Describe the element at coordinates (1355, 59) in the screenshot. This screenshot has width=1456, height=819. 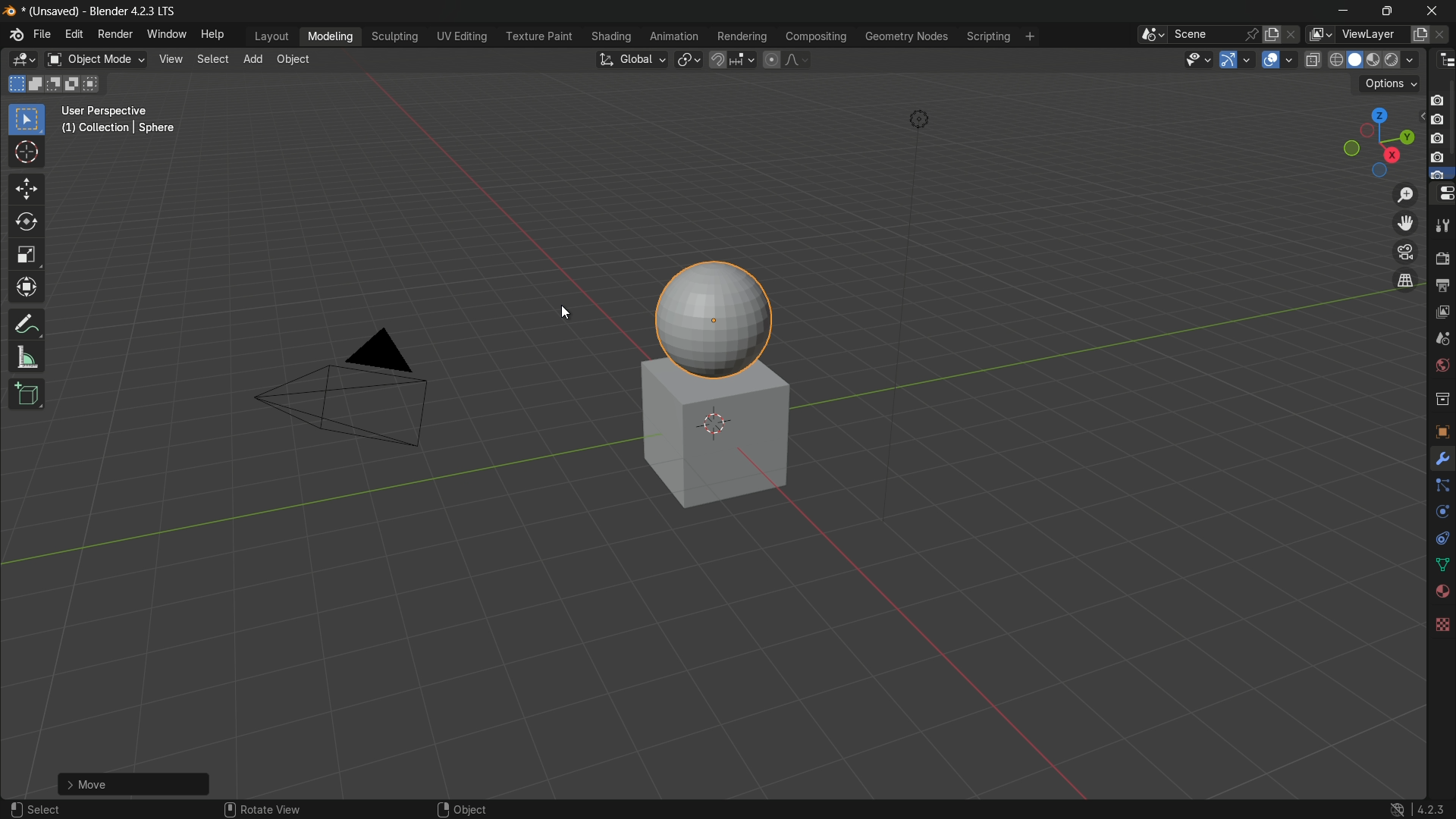
I see `solid display` at that location.